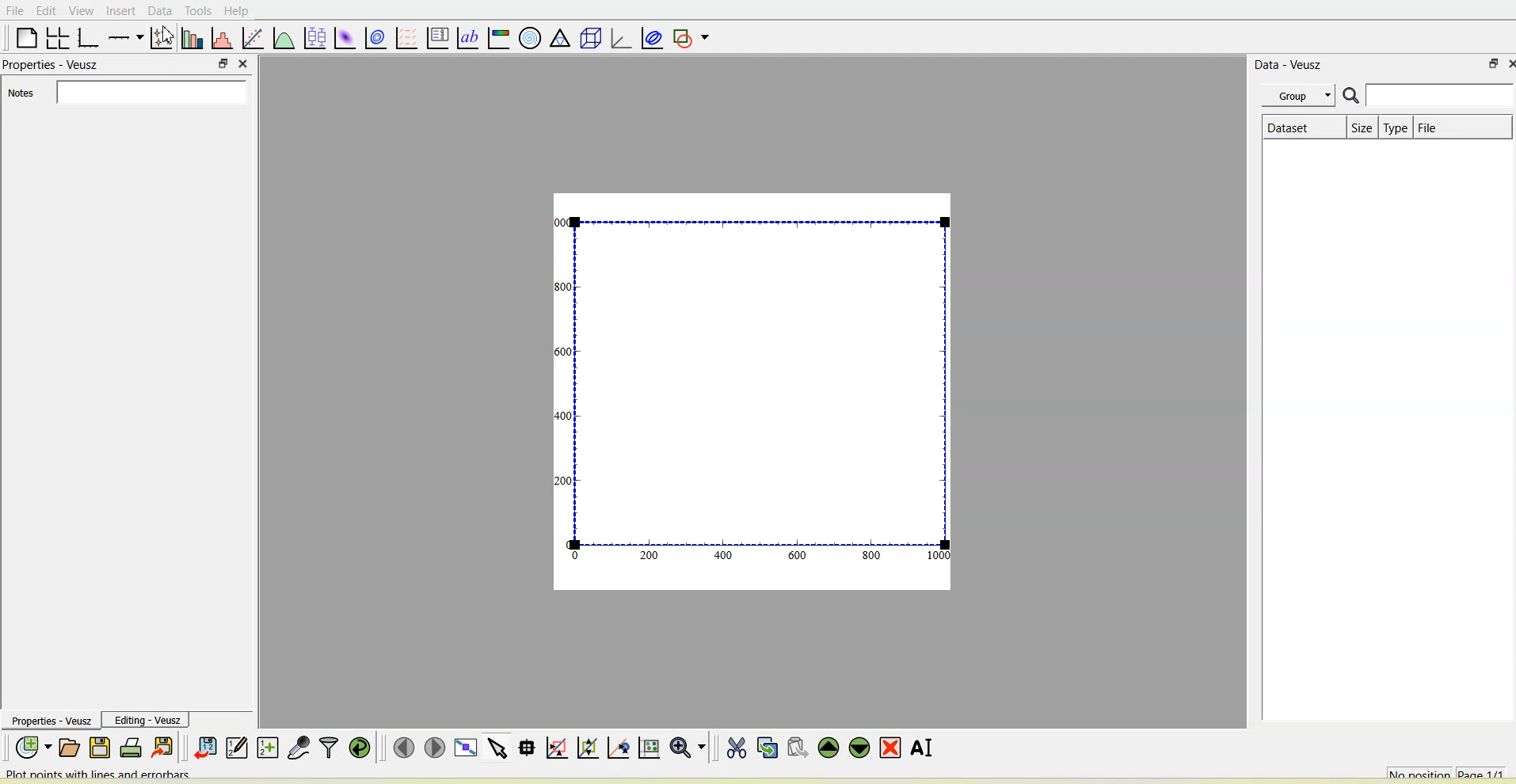 This screenshot has height=784, width=1516. Describe the element at coordinates (299, 748) in the screenshot. I see `Capture remote data` at that location.